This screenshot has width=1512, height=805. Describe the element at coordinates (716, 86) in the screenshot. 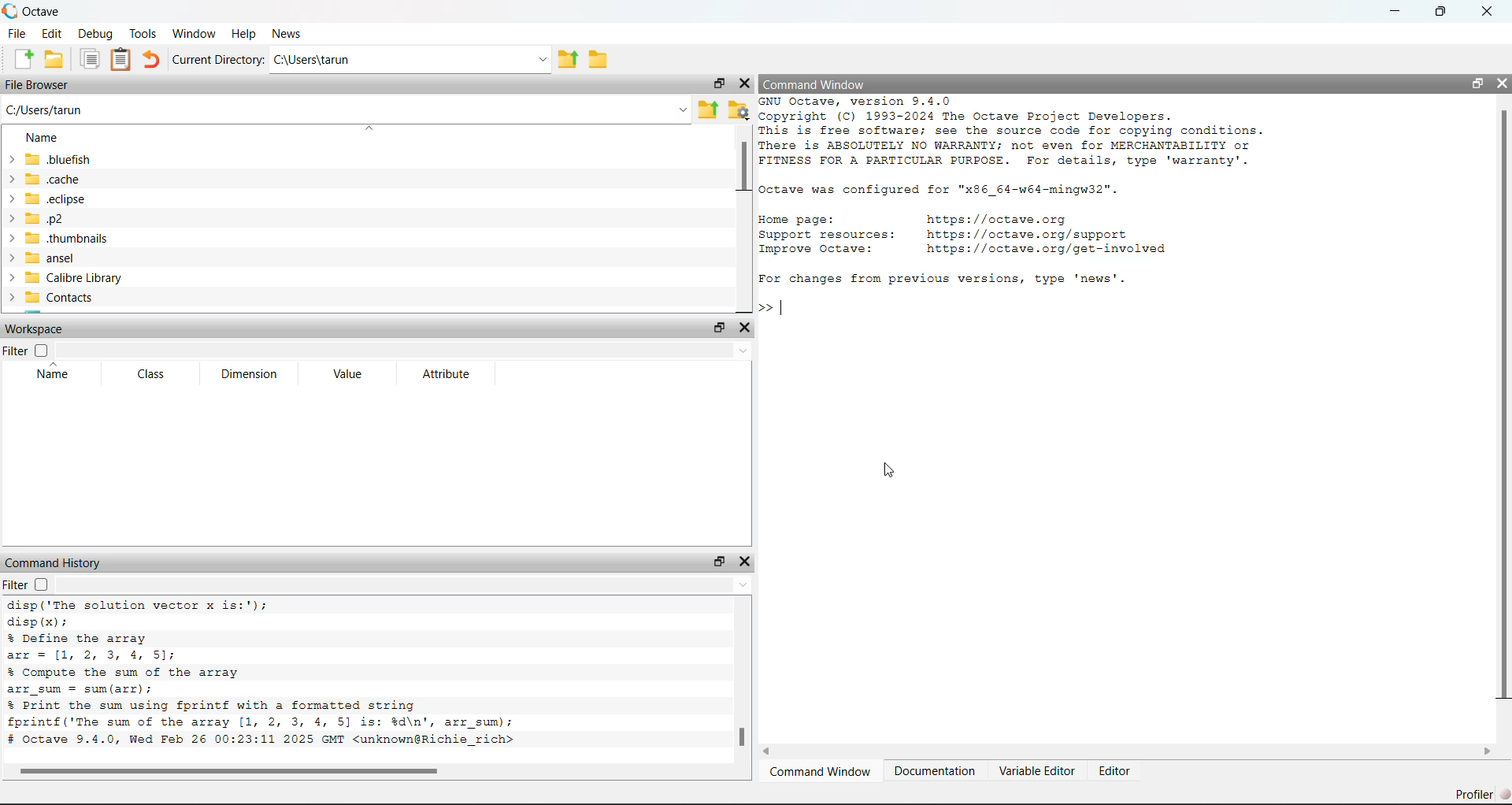

I see `Maximize` at that location.